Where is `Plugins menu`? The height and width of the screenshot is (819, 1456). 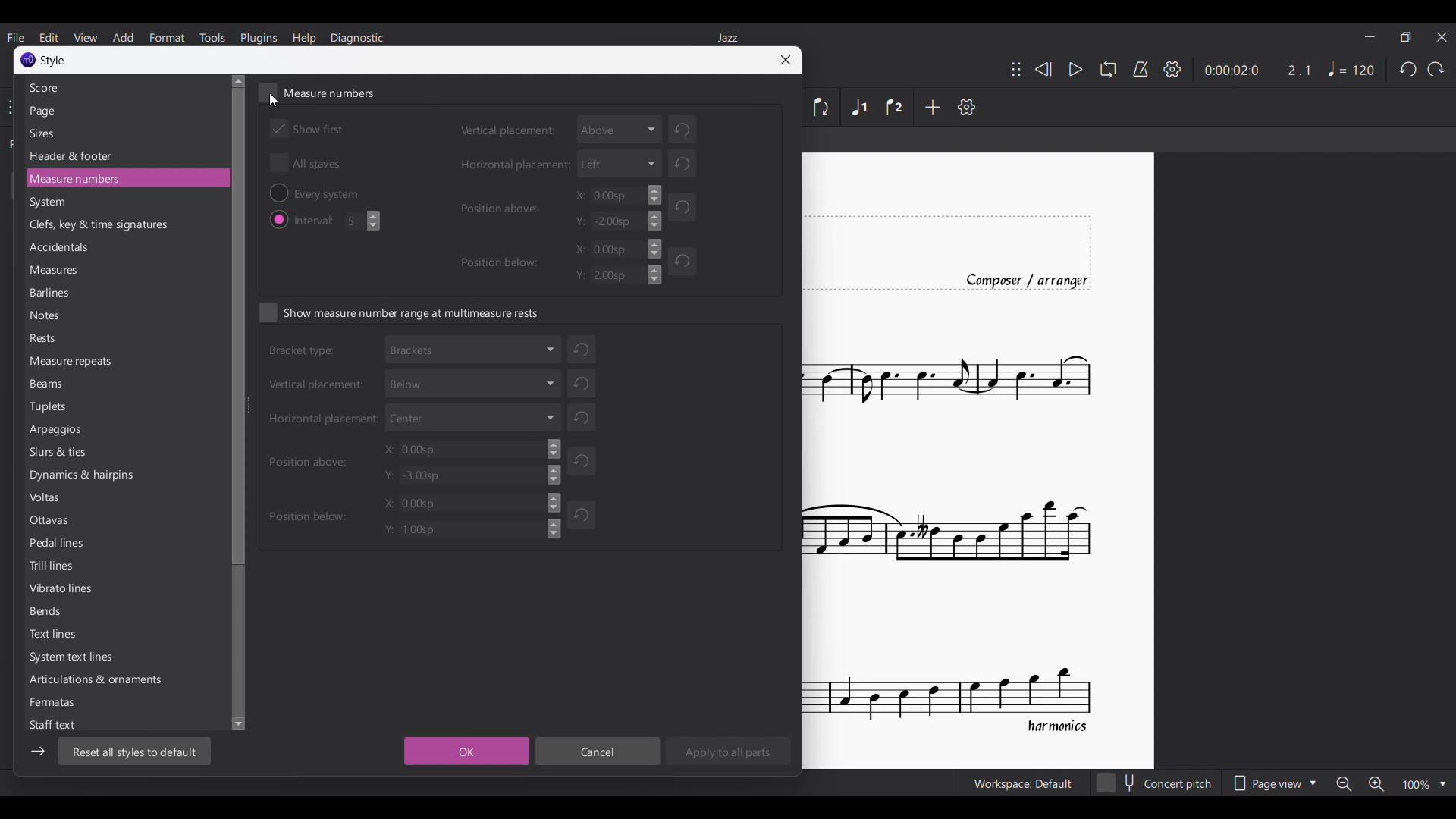
Plugins menu is located at coordinates (259, 38).